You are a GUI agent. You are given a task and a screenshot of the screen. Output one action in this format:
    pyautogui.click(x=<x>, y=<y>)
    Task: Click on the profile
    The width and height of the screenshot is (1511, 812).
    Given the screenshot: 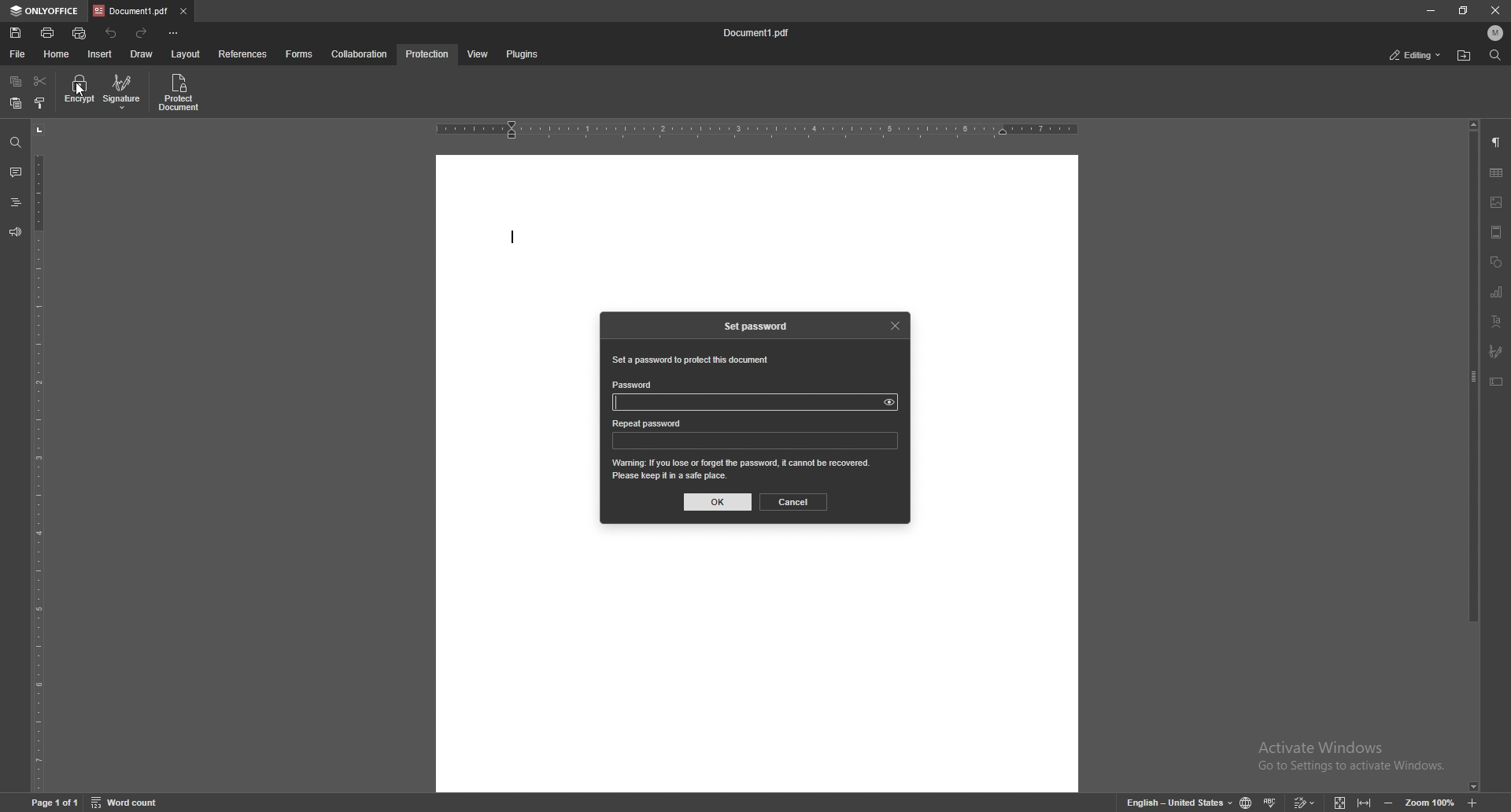 What is the action you would take?
    pyautogui.click(x=1493, y=33)
    